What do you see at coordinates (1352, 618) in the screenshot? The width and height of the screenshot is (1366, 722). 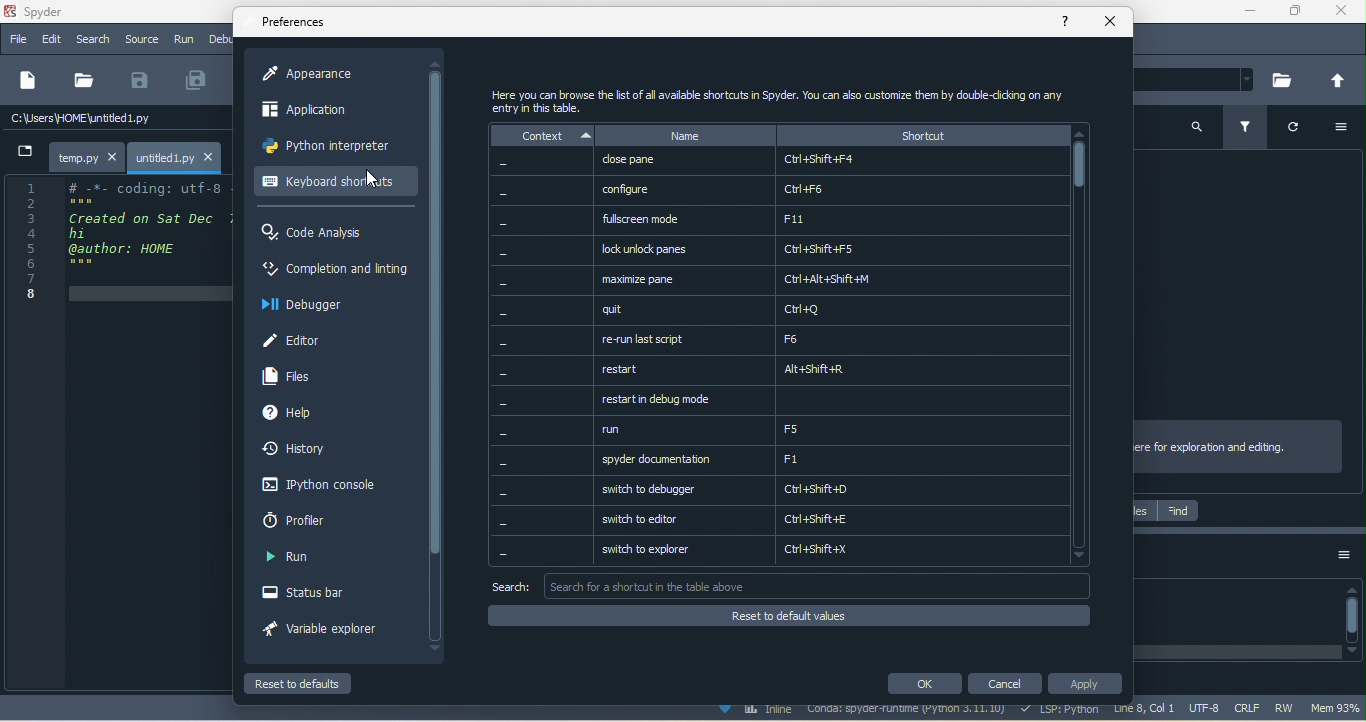 I see `vertical scroll bar` at bounding box center [1352, 618].